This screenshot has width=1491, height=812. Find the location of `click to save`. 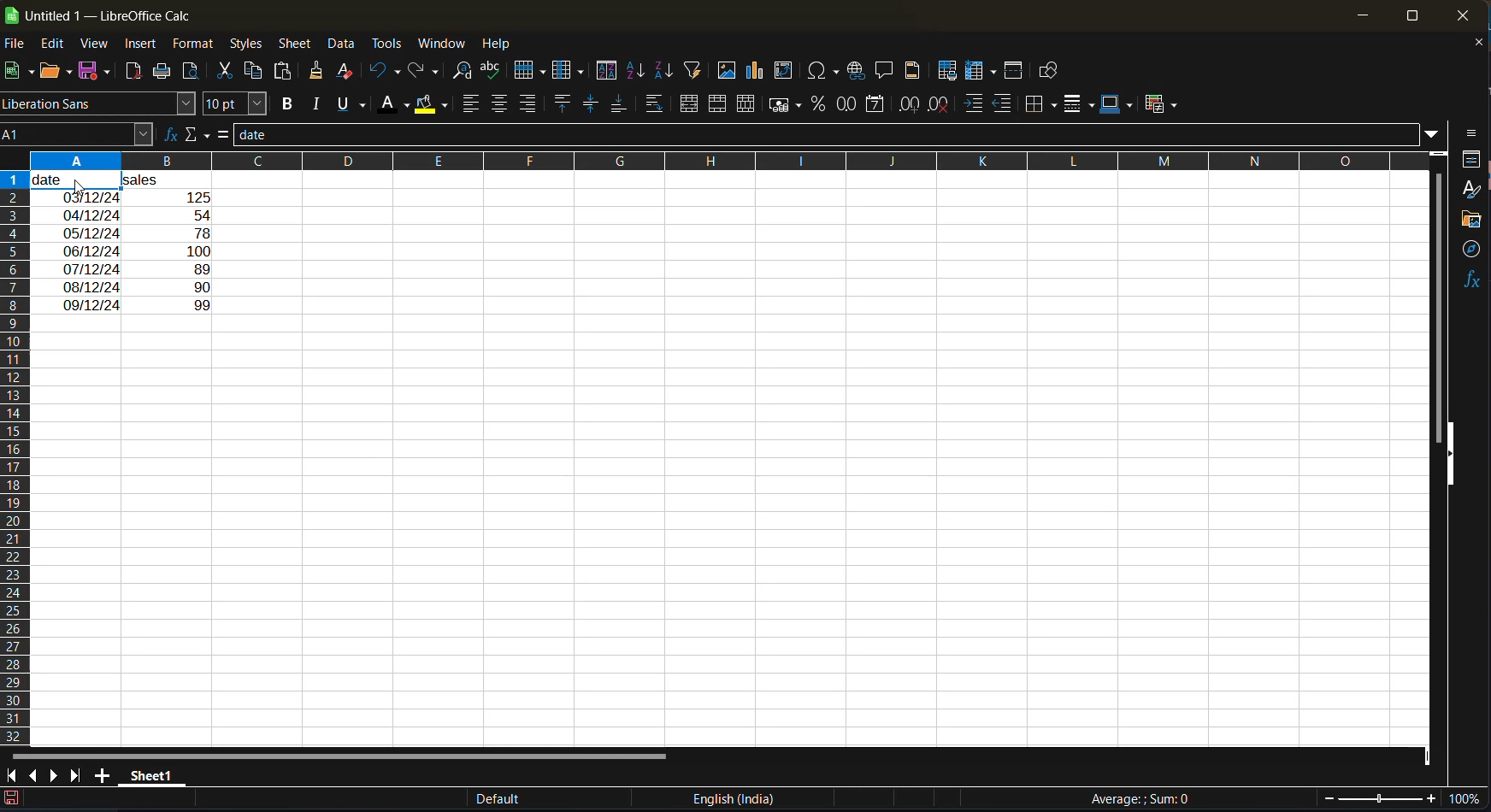

click to save is located at coordinates (11, 801).